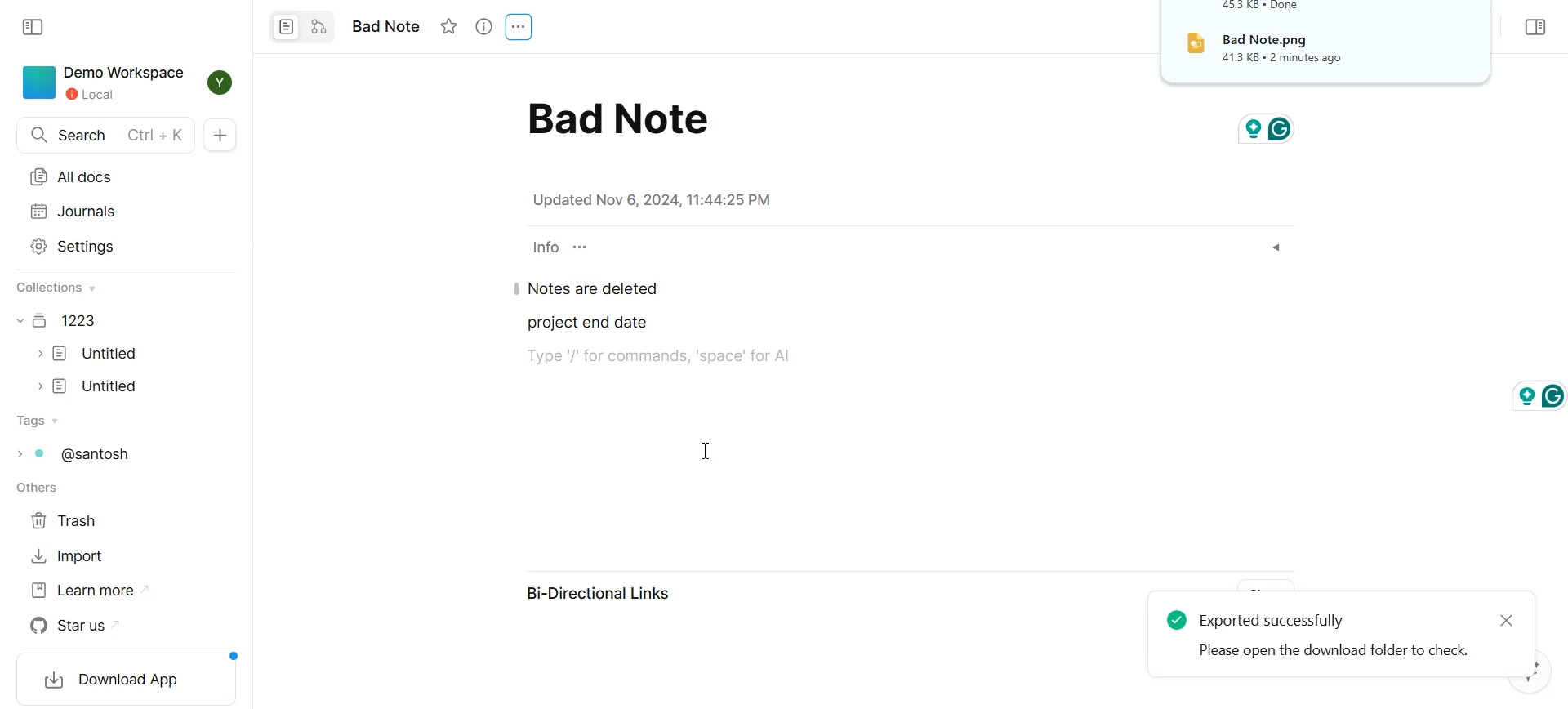 Image resolution: width=1568 pixels, height=709 pixels. What do you see at coordinates (221, 136) in the screenshot?
I see `New Doc` at bounding box center [221, 136].